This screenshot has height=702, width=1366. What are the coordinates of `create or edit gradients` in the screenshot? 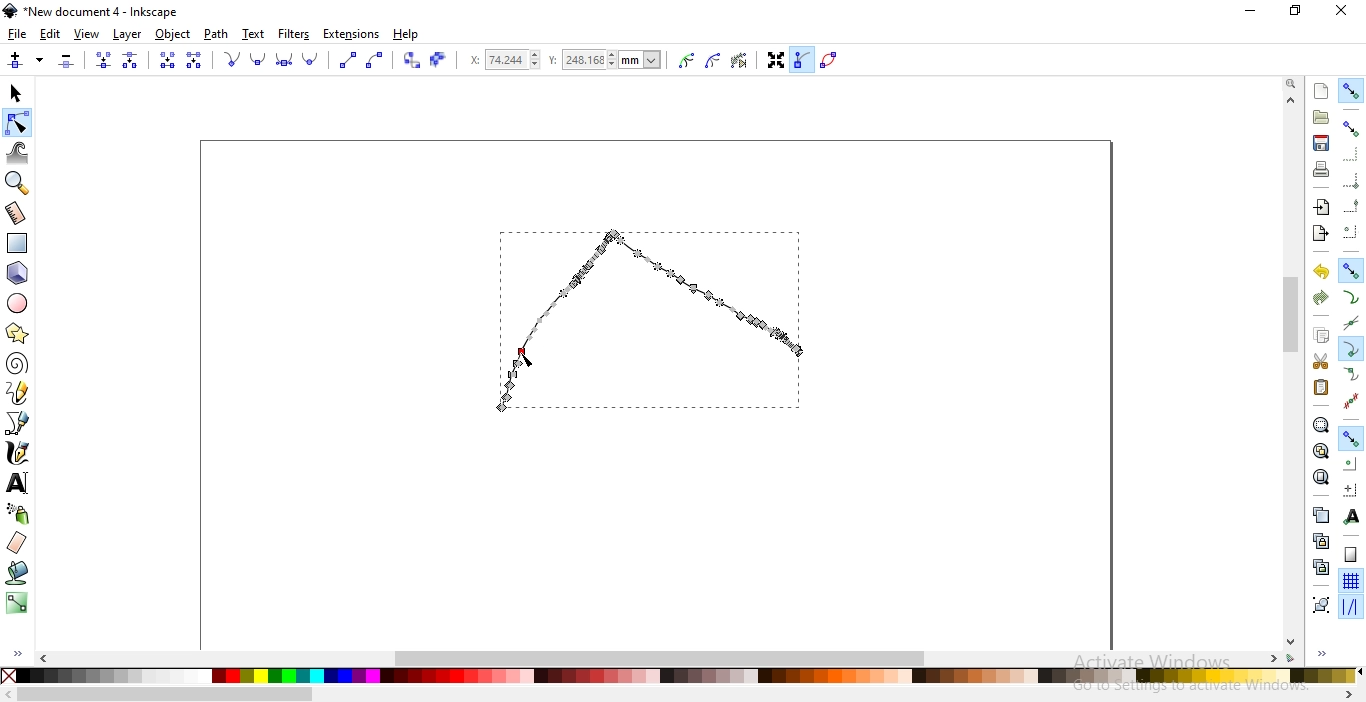 It's located at (16, 603).